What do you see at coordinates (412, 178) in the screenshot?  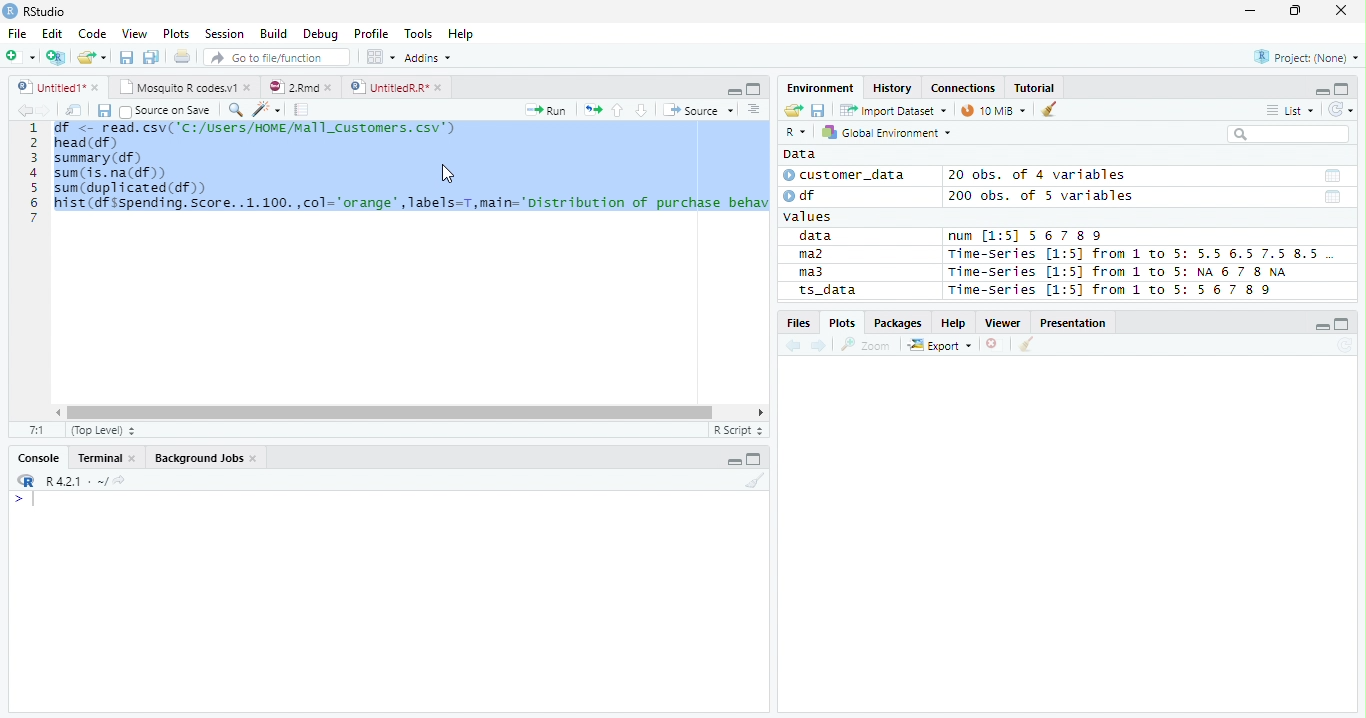 I see `SN <- read. csv( 'C1/USers/NINEMEl1_Custonrs. csv’)

head (df)

summary (df)

sum (is. na(df))

sum (duplicated (df)

hist (df sspending. Score. .1.100.,col="orange",Tabels=T,main="Distribution of purchase behav
|` at bounding box center [412, 178].